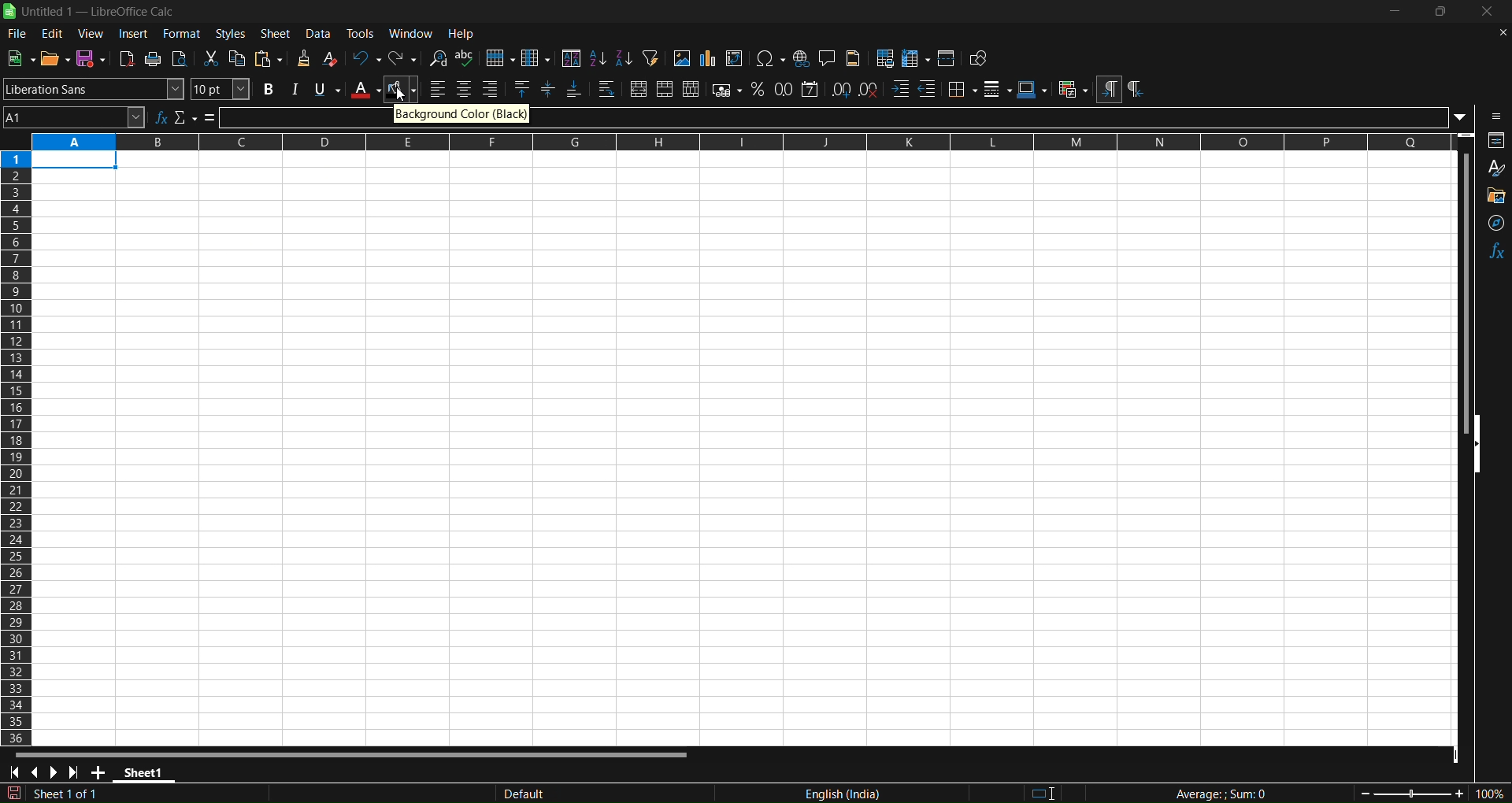 The image size is (1512, 803). I want to click on formula, so click(209, 118).